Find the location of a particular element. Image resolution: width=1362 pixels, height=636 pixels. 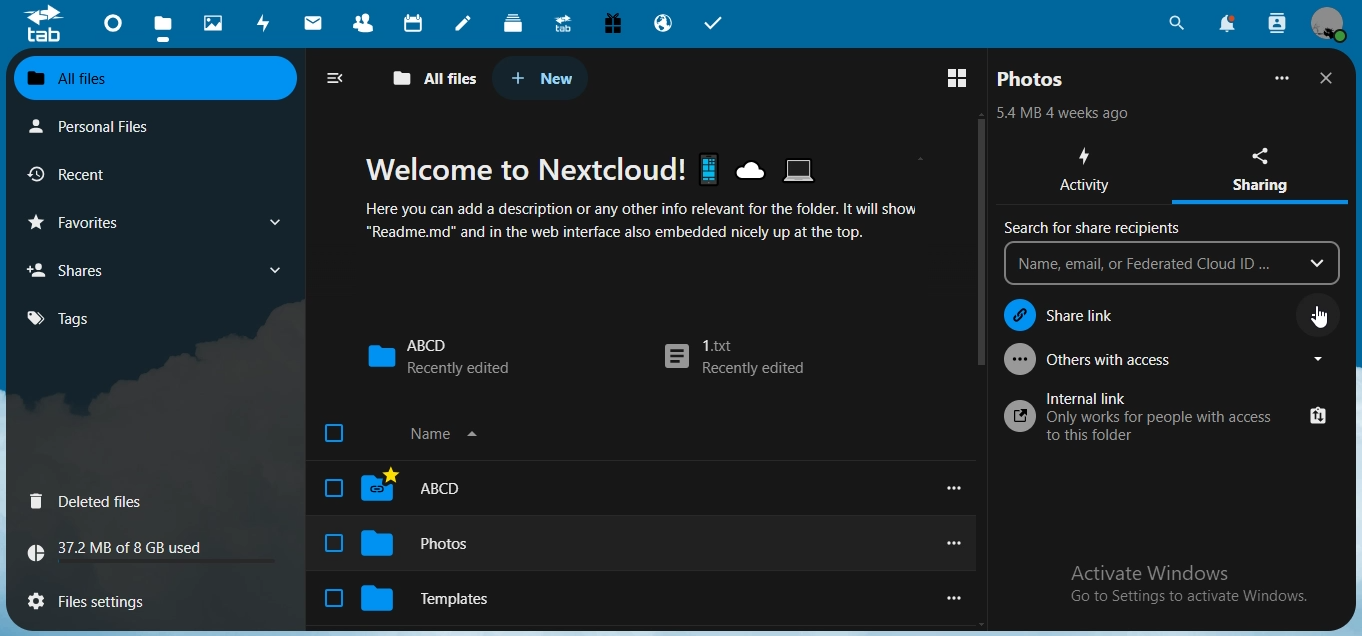

switch to grid view is located at coordinates (959, 77).